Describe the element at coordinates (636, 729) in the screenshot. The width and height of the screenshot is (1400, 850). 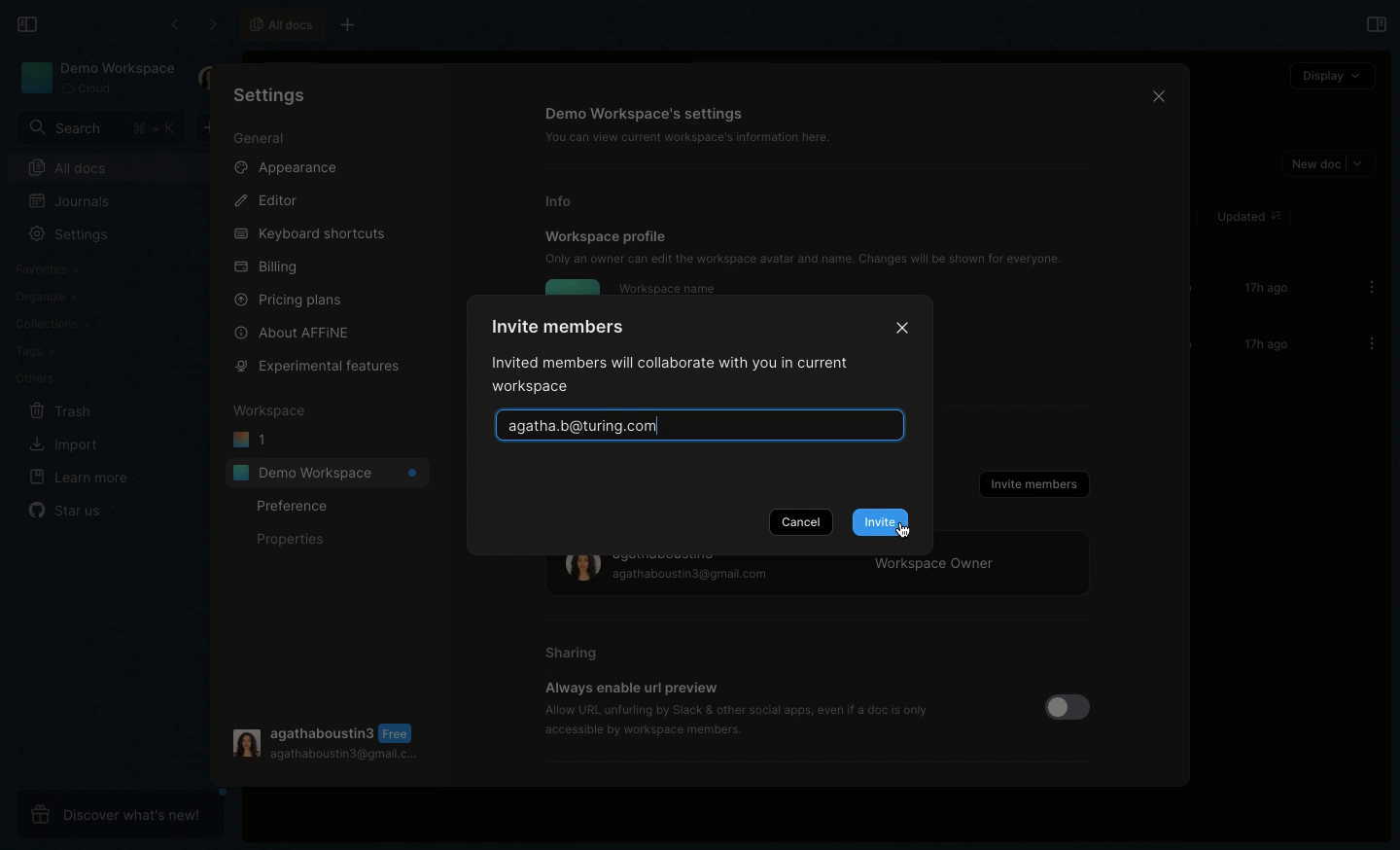
I see `‘accessible by workspace members` at that location.